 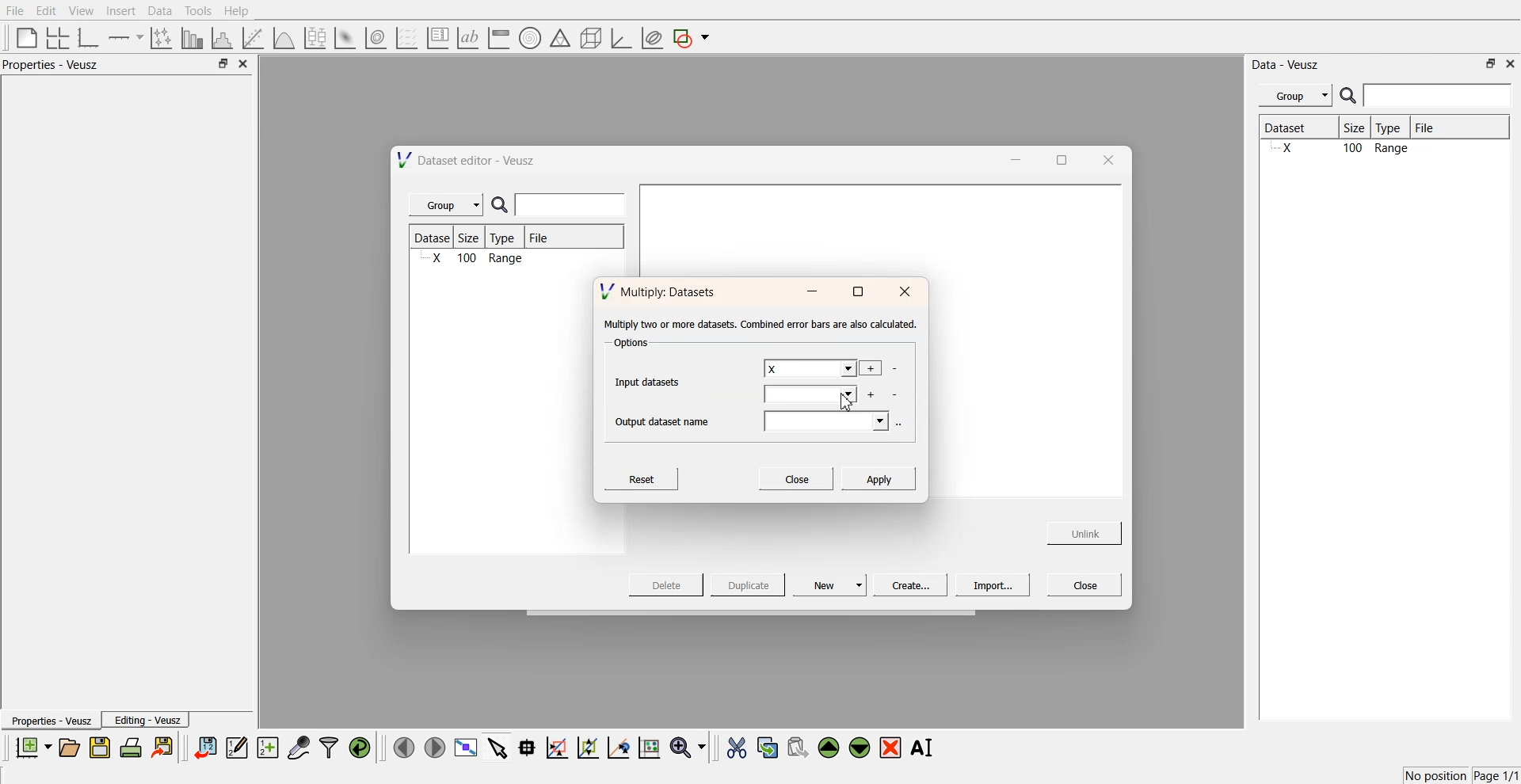 I want to click on Output dataset name, so click(x=668, y=420).